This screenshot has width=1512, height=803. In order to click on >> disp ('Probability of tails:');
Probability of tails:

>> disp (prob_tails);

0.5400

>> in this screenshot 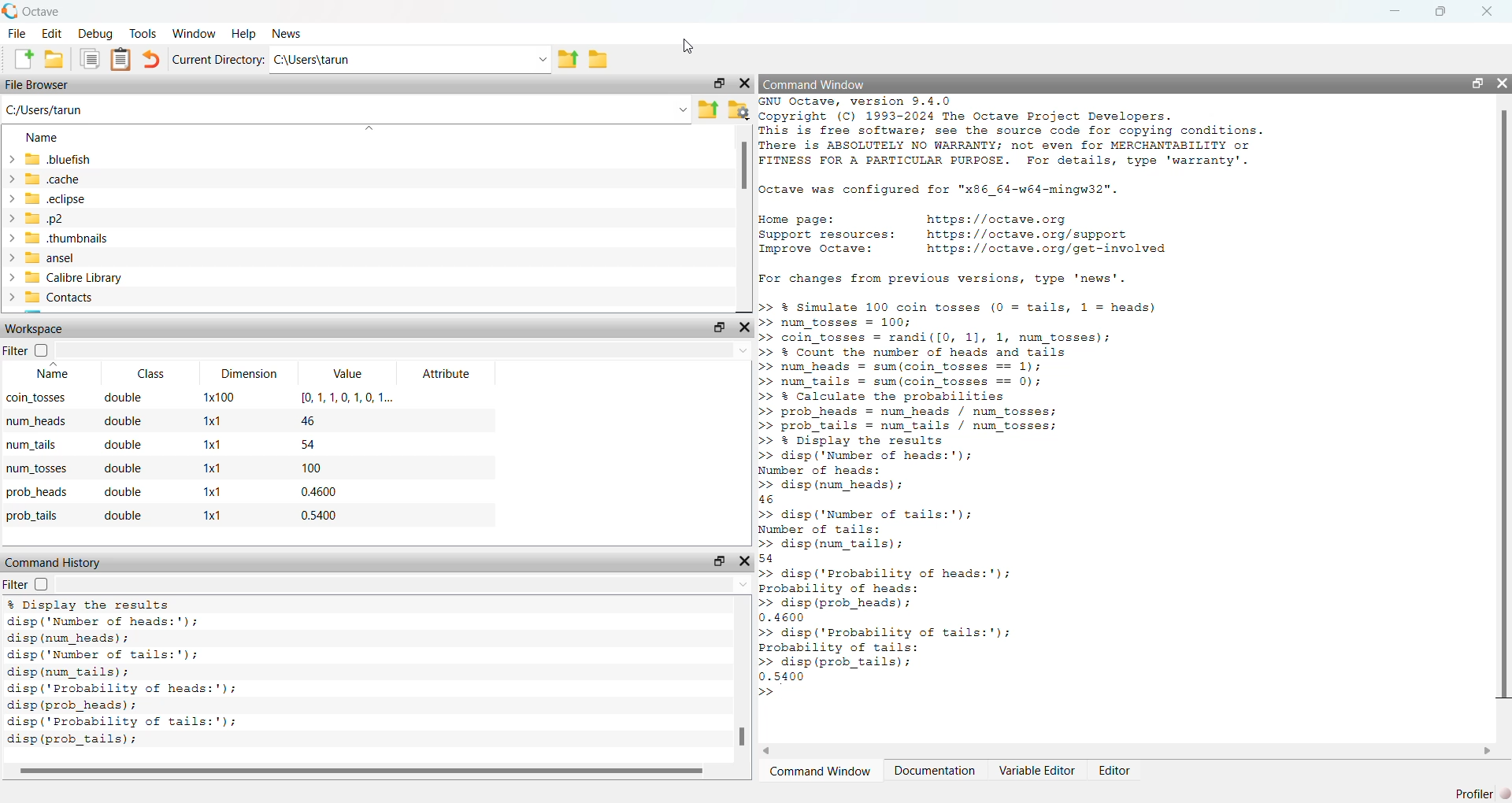, I will do `click(886, 663)`.